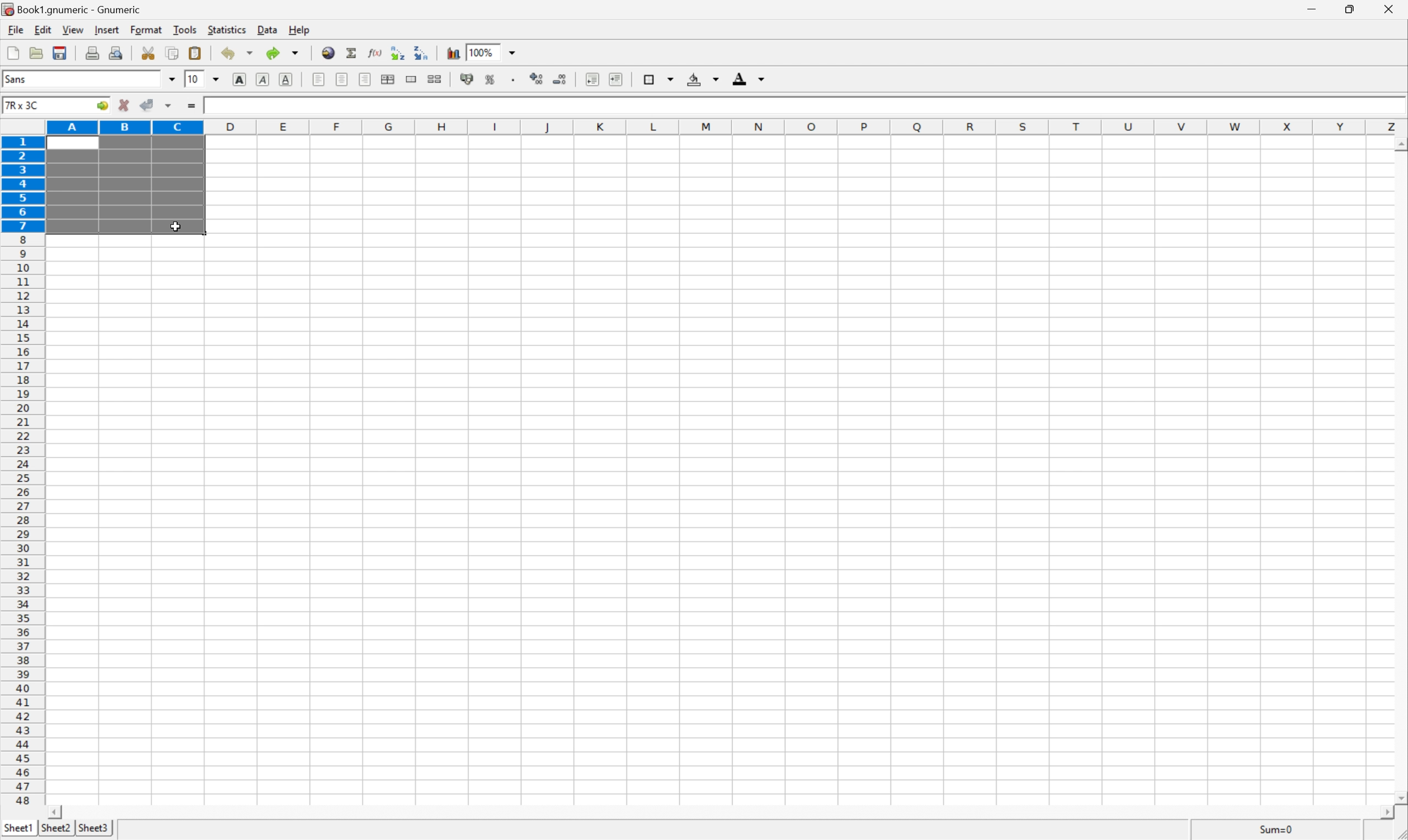 The width and height of the screenshot is (1408, 840). I want to click on Sort the selected region in descending order based on the first column selected, so click(422, 53).